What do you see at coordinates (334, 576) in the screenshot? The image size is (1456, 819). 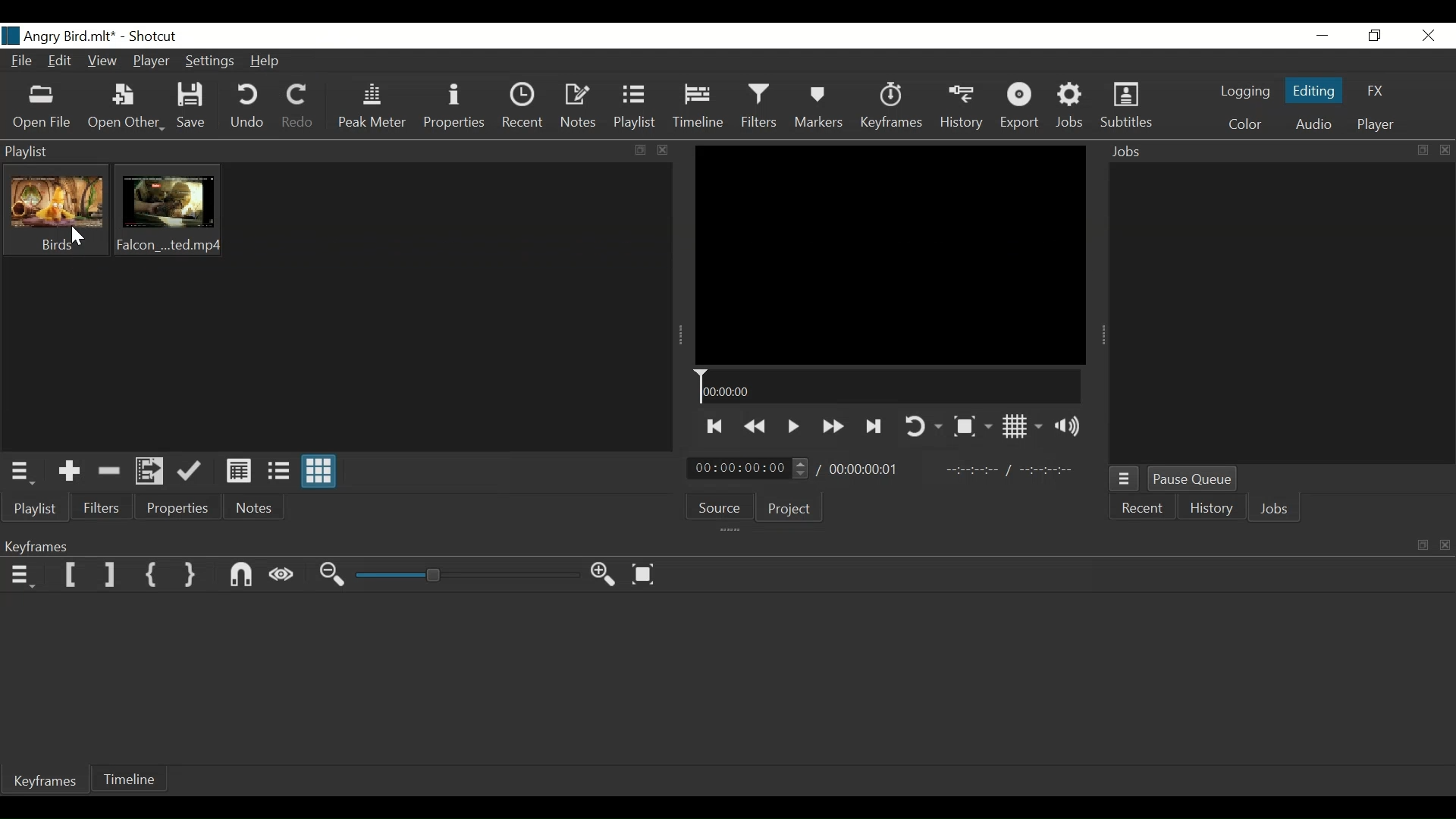 I see `Zoom Keyframe out` at bounding box center [334, 576].